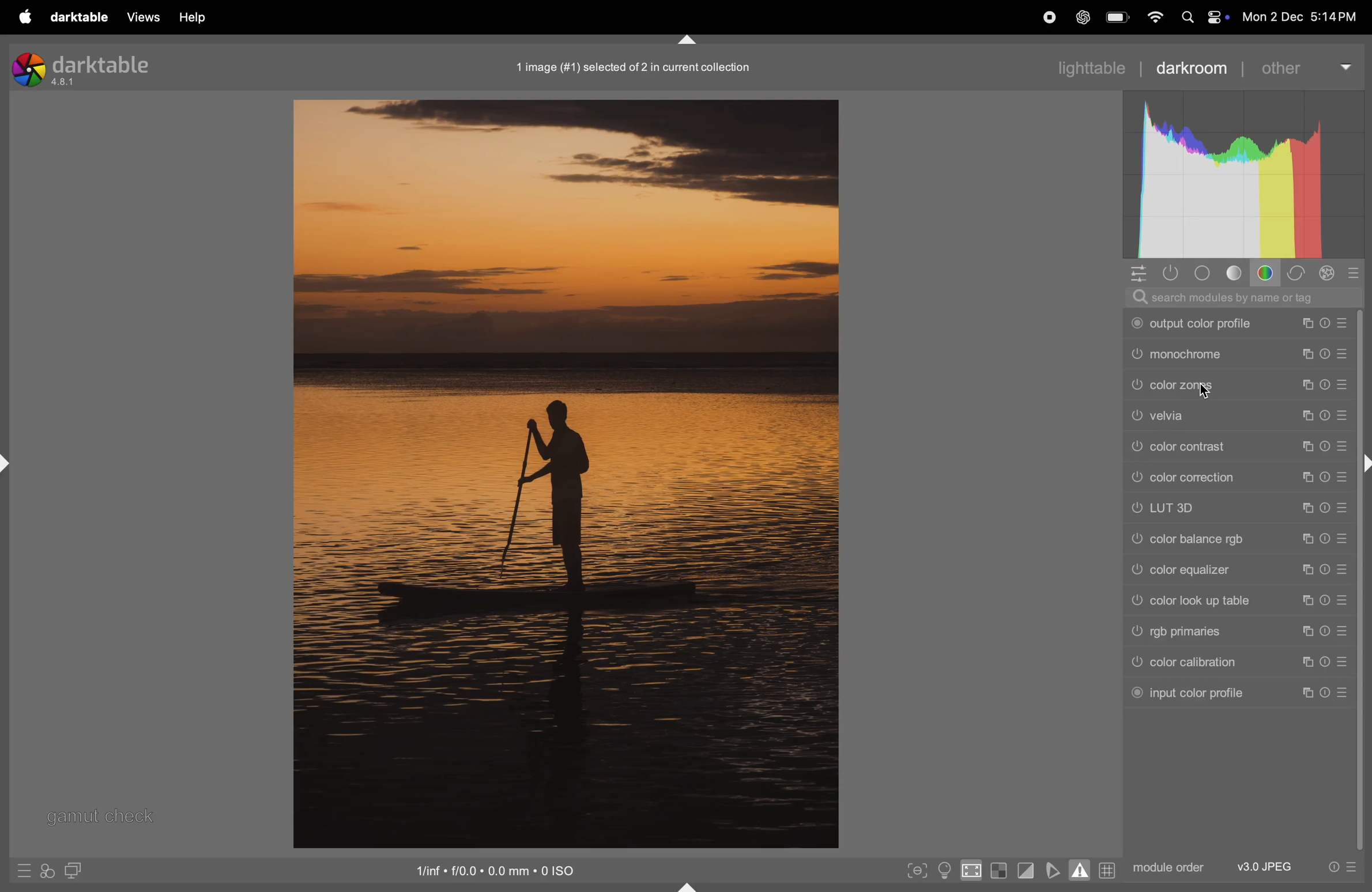 Image resolution: width=1372 pixels, height=892 pixels. What do you see at coordinates (1363, 582) in the screenshot?
I see `` at bounding box center [1363, 582].